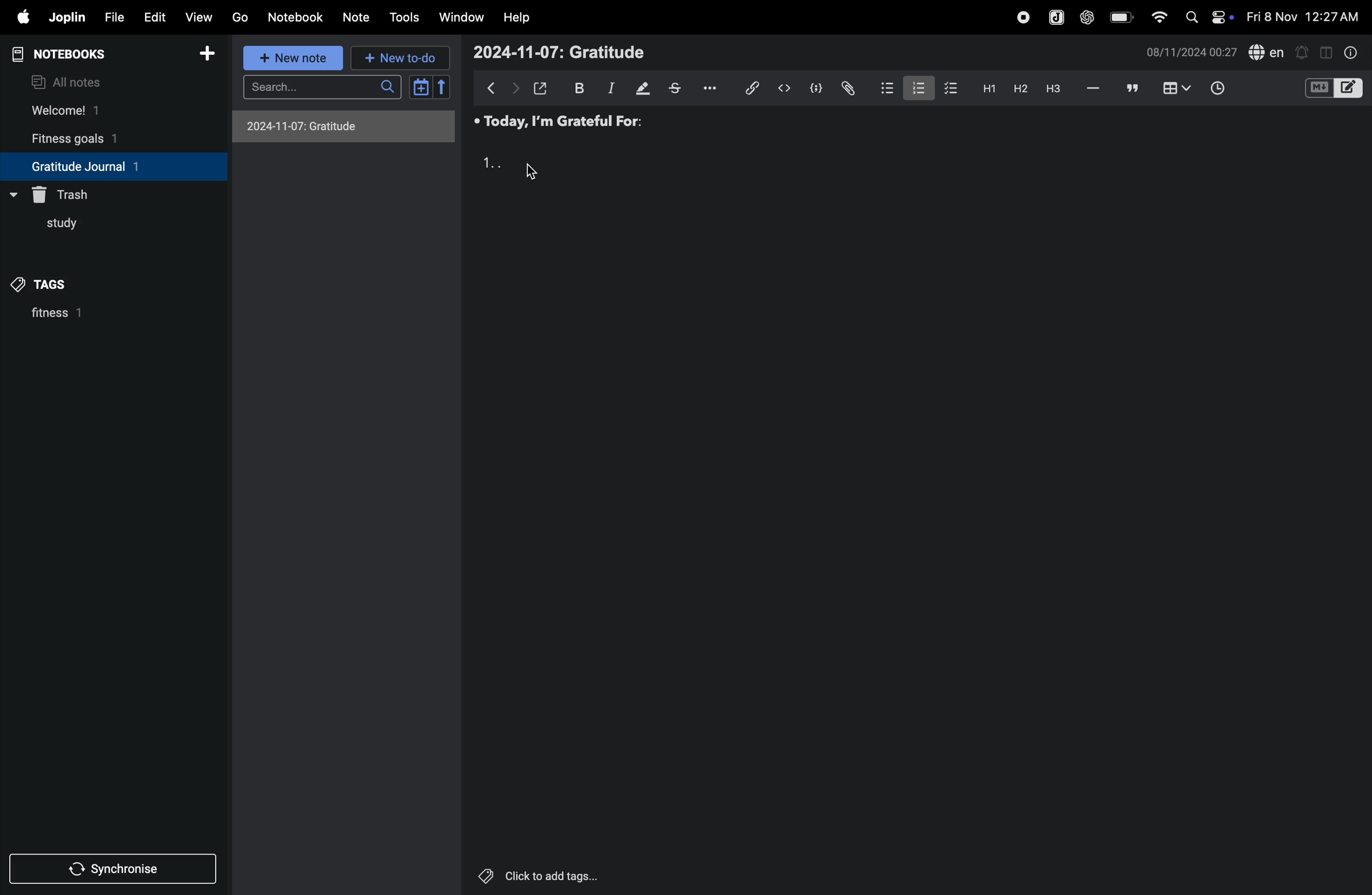 The image size is (1372, 895). I want to click on new to do, so click(397, 58).